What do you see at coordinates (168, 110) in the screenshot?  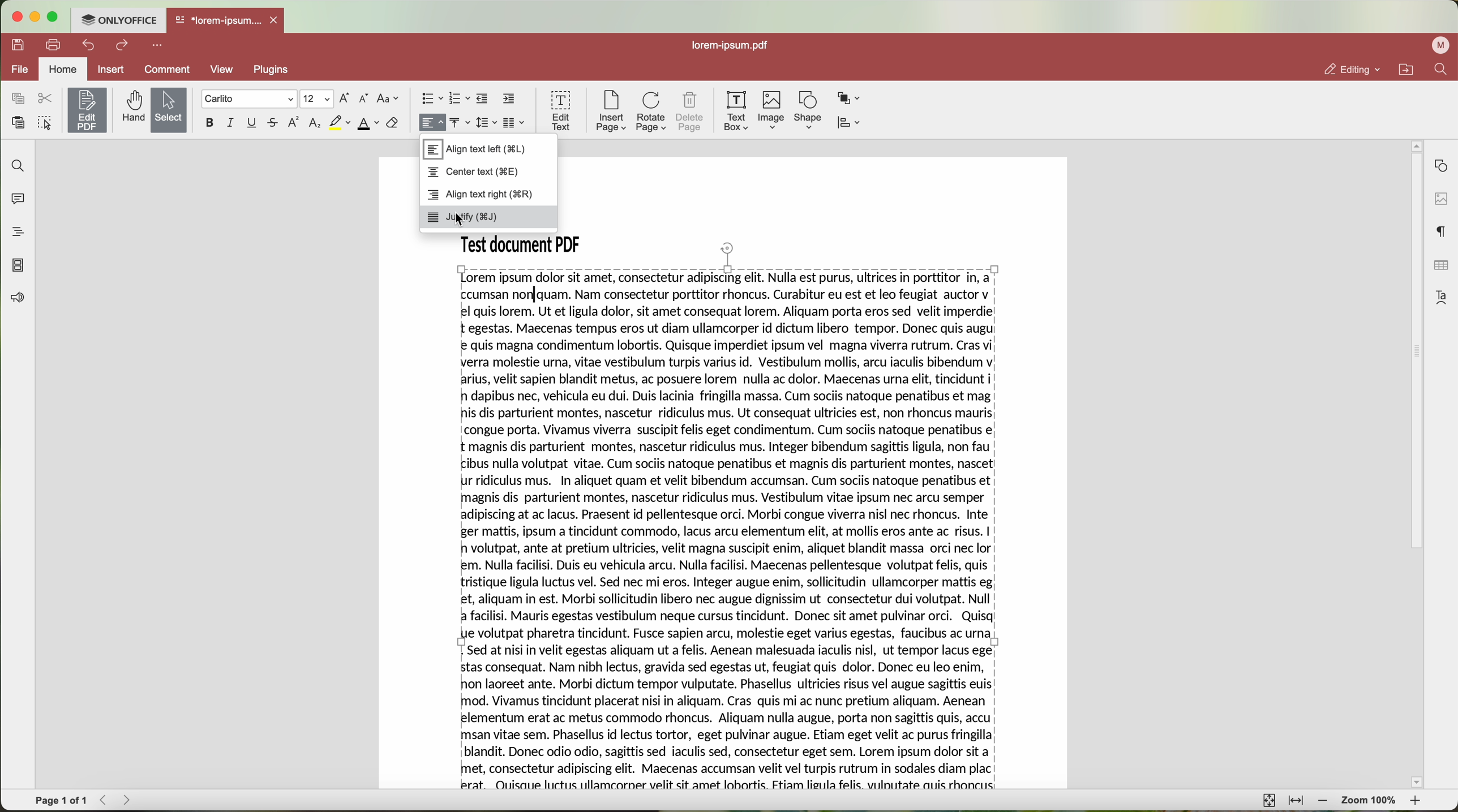 I see `Select` at bounding box center [168, 110].